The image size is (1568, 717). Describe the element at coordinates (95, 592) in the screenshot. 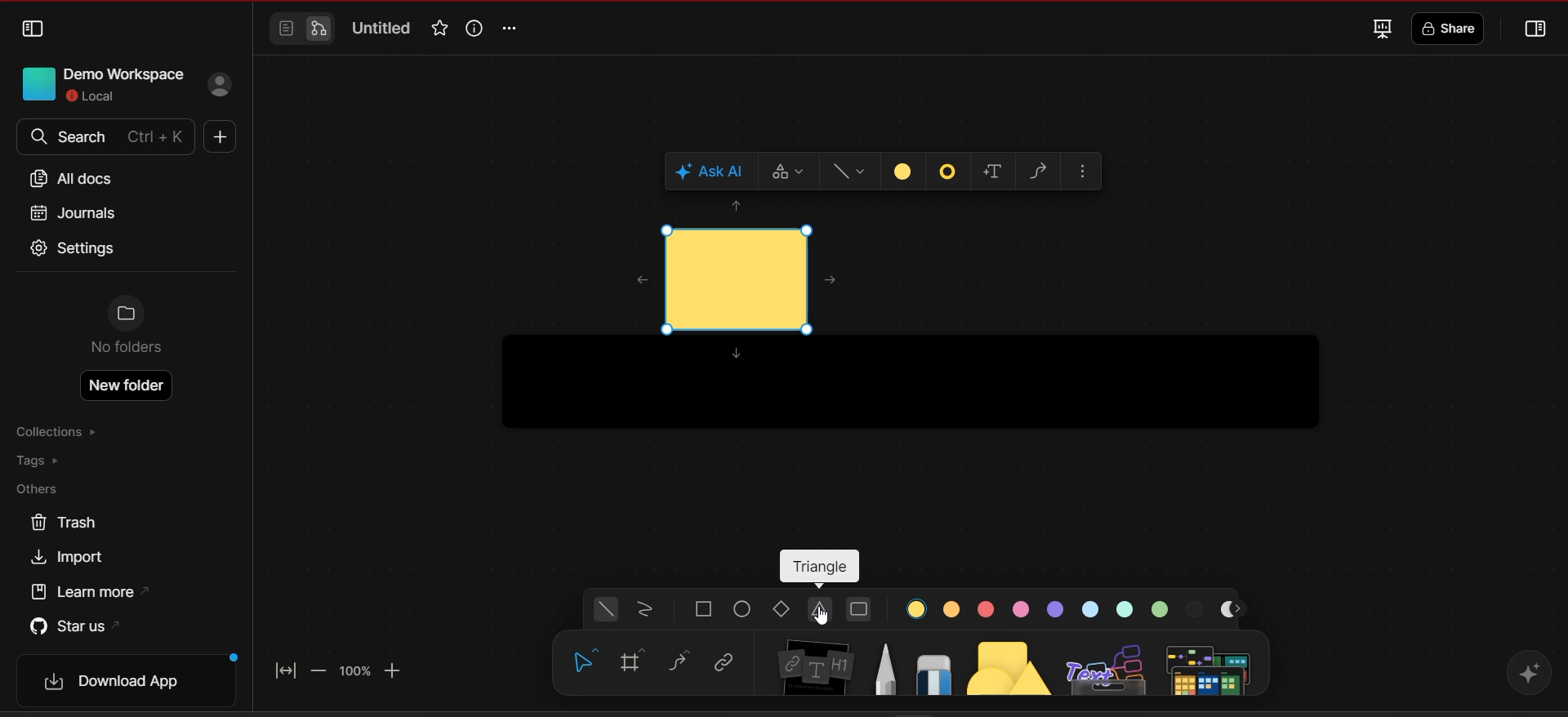

I see `learn more` at that location.